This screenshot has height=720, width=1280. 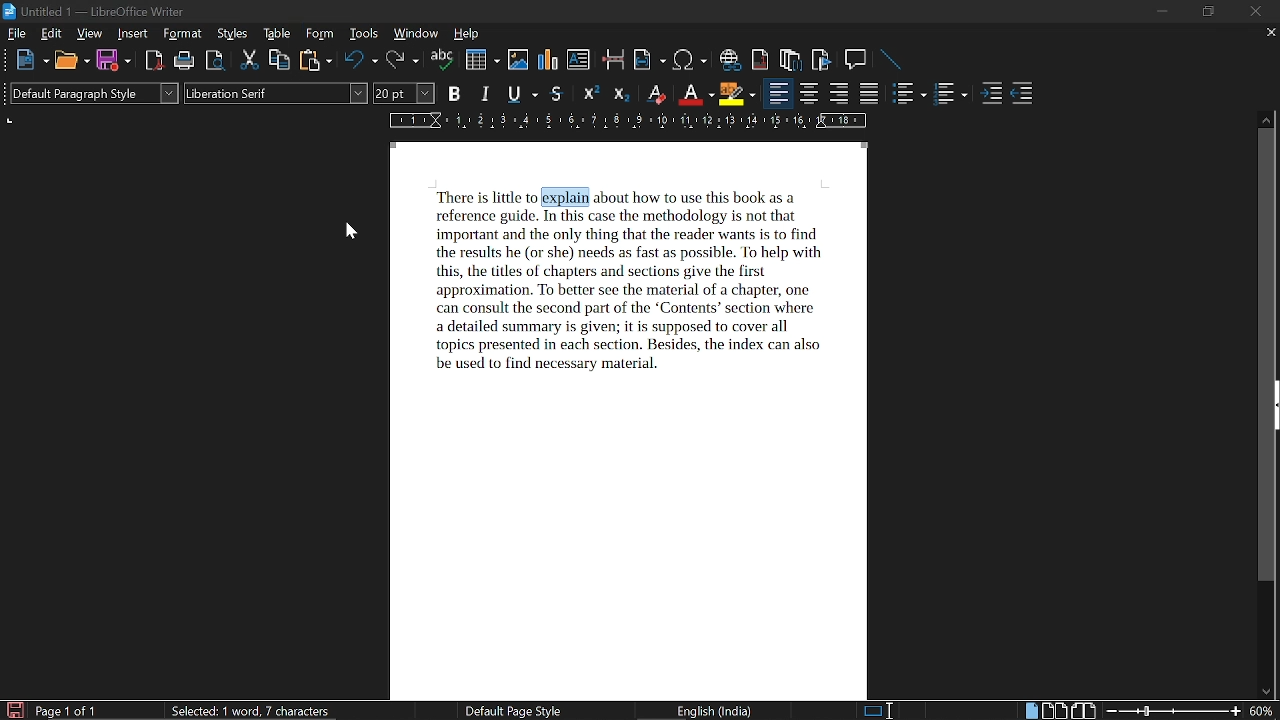 I want to click on single page view, so click(x=1030, y=711).